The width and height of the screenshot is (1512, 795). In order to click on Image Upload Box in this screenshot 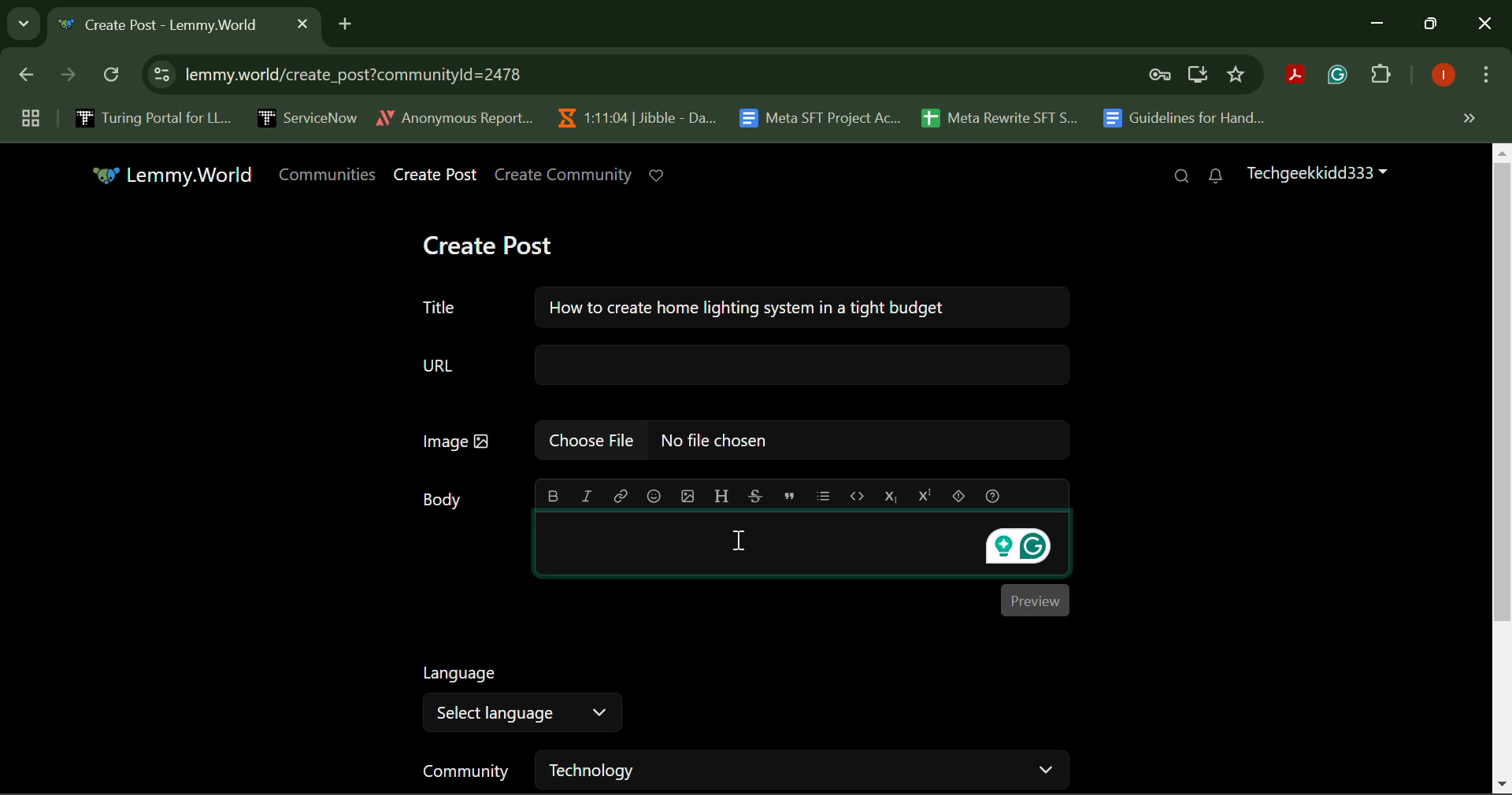, I will do `click(741, 439)`.